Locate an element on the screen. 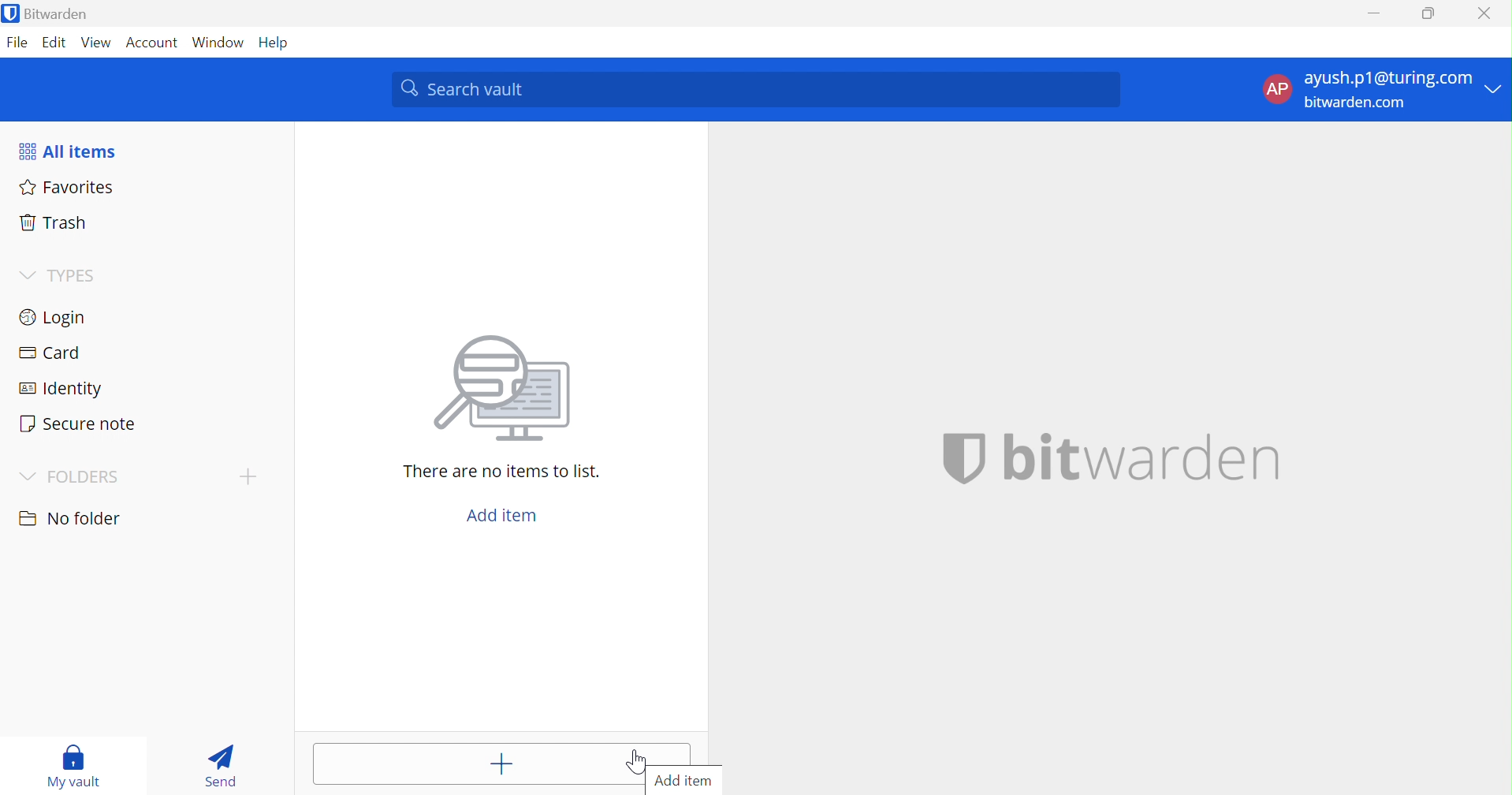 This screenshot has height=795, width=1512. Add item is located at coordinates (503, 516).